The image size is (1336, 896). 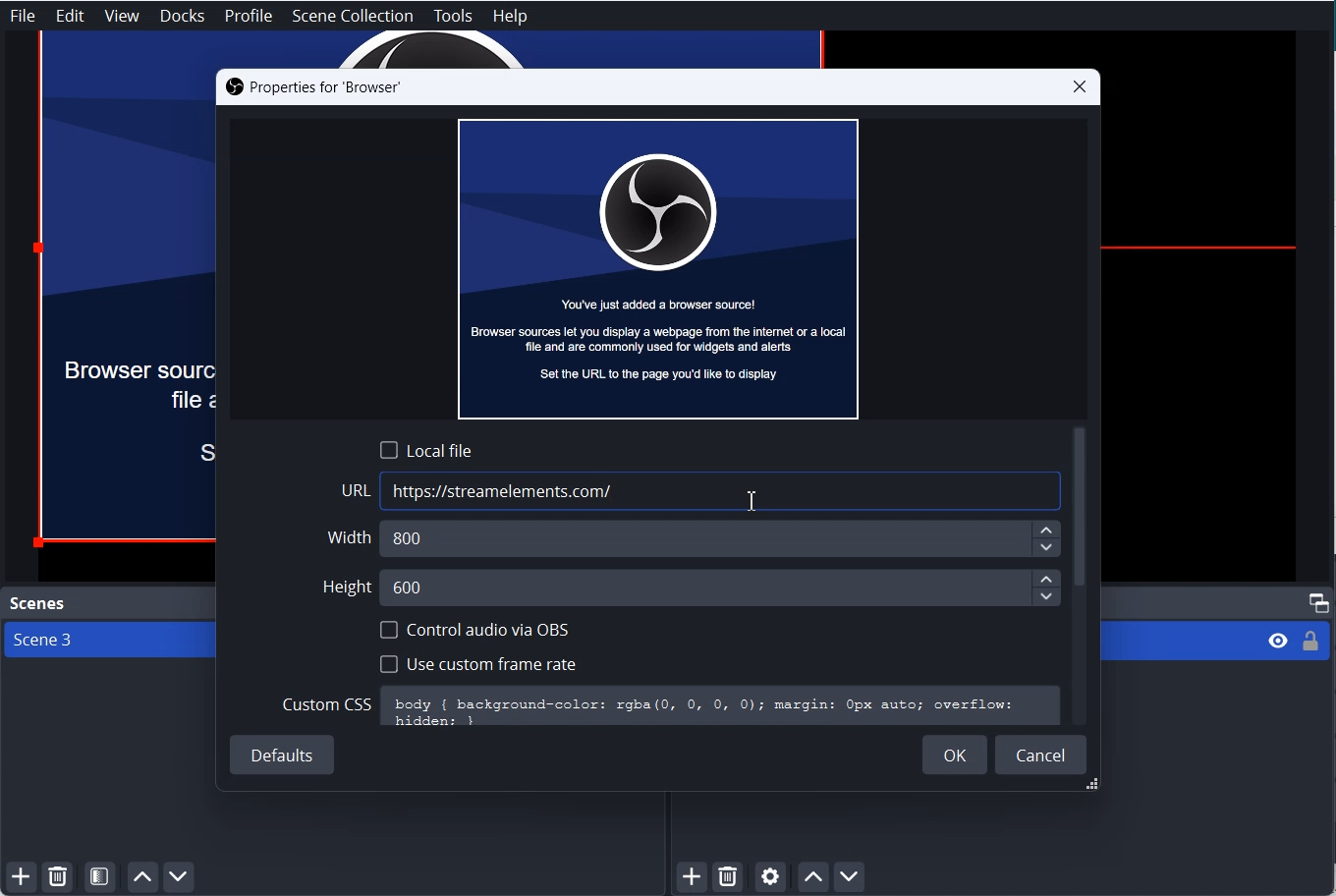 I want to click on Custom CSS, so click(x=670, y=706).